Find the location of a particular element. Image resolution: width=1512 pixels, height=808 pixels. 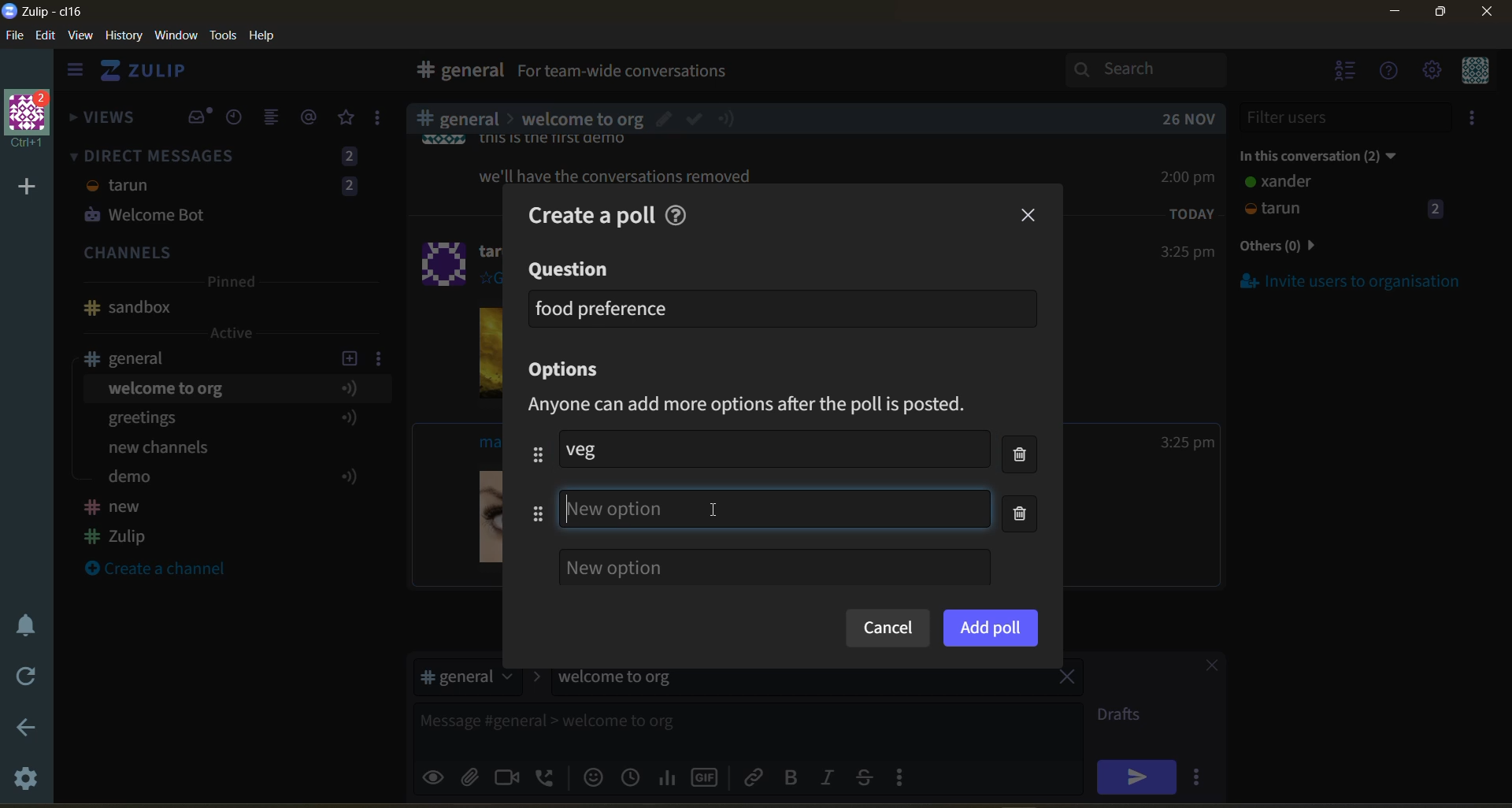

add emoji is located at coordinates (591, 776).